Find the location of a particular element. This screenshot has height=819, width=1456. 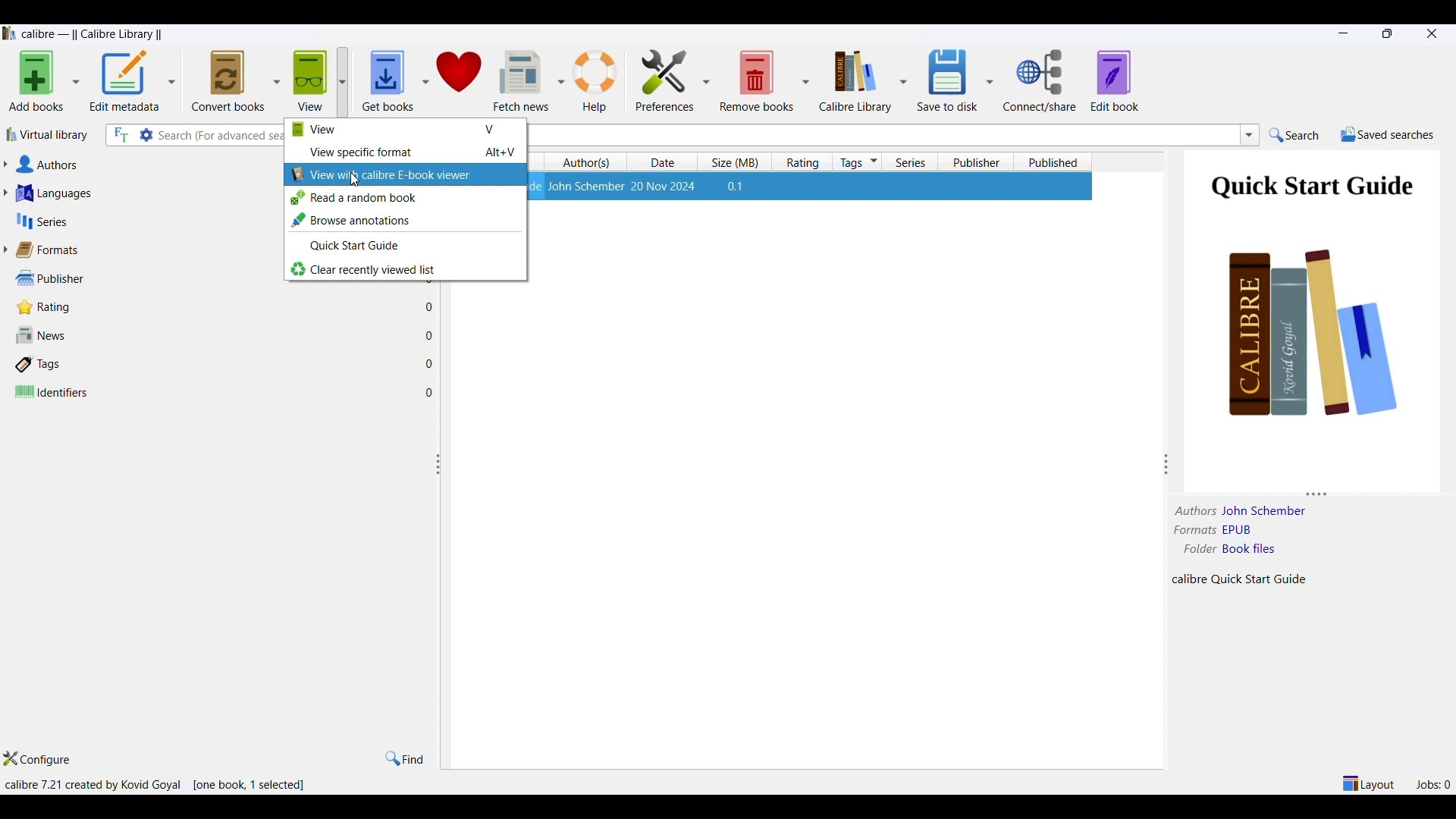

remove books is located at coordinates (755, 81).